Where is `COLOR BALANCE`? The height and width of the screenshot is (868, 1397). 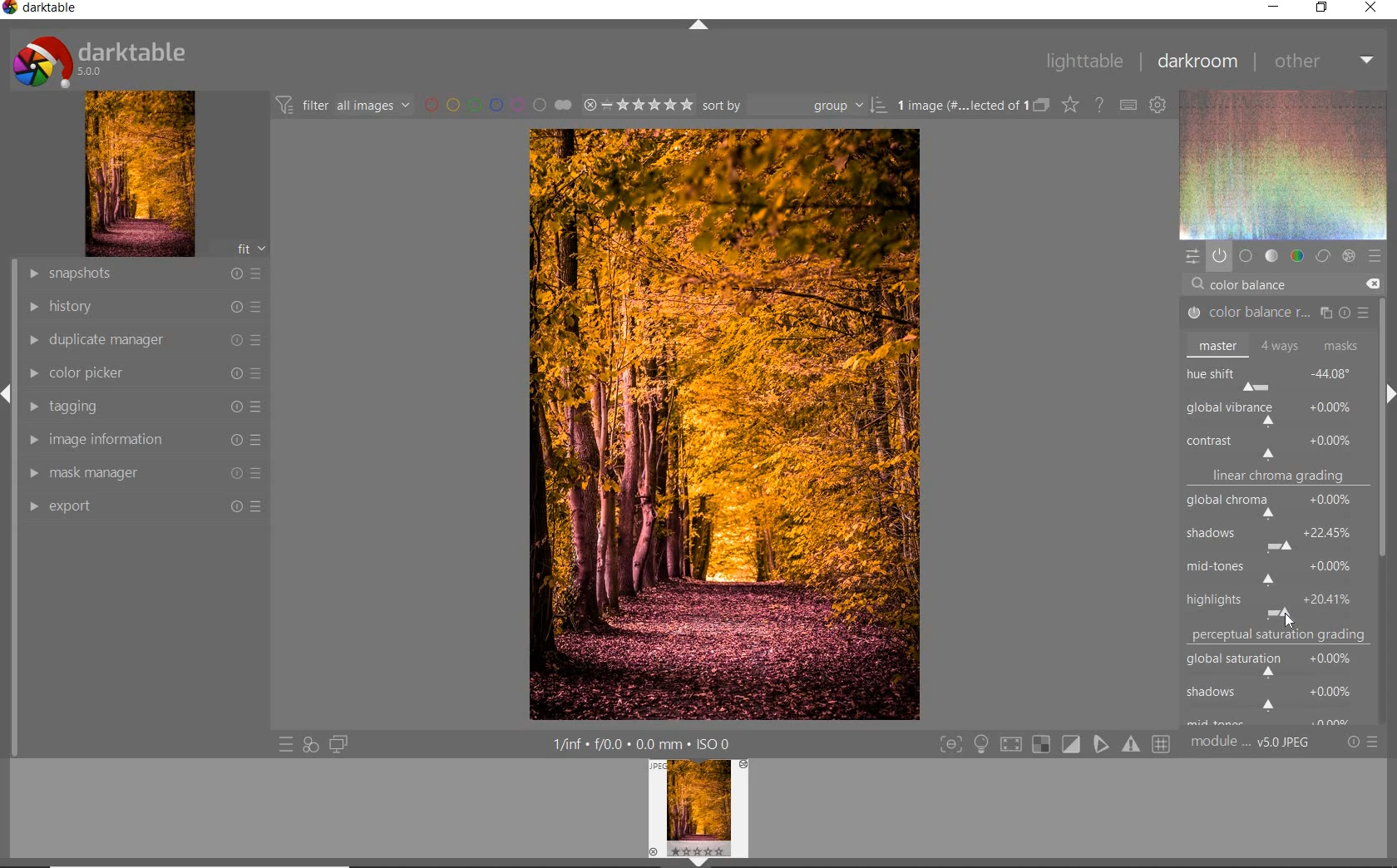 COLOR BALANCE is located at coordinates (1253, 285).